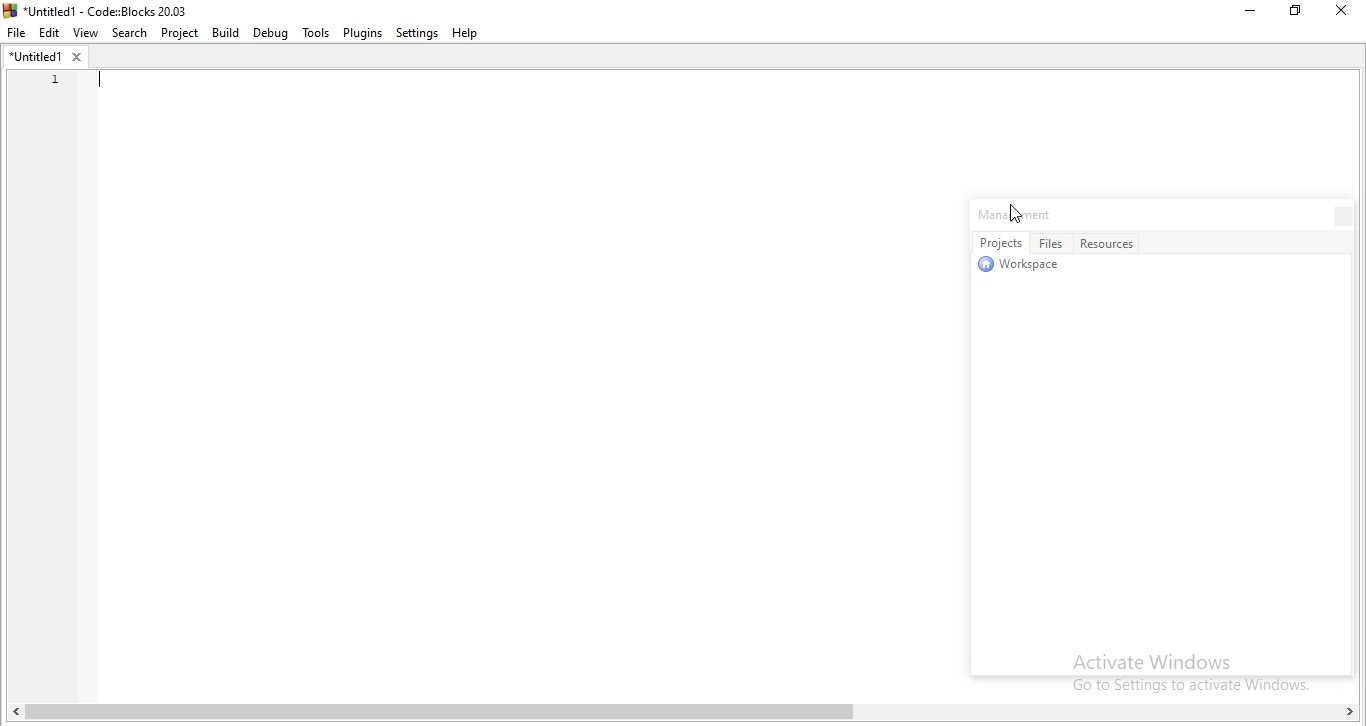 The image size is (1366, 726). Describe the element at coordinates (1339, 13) in the screenshot. I see `Close` at that location.